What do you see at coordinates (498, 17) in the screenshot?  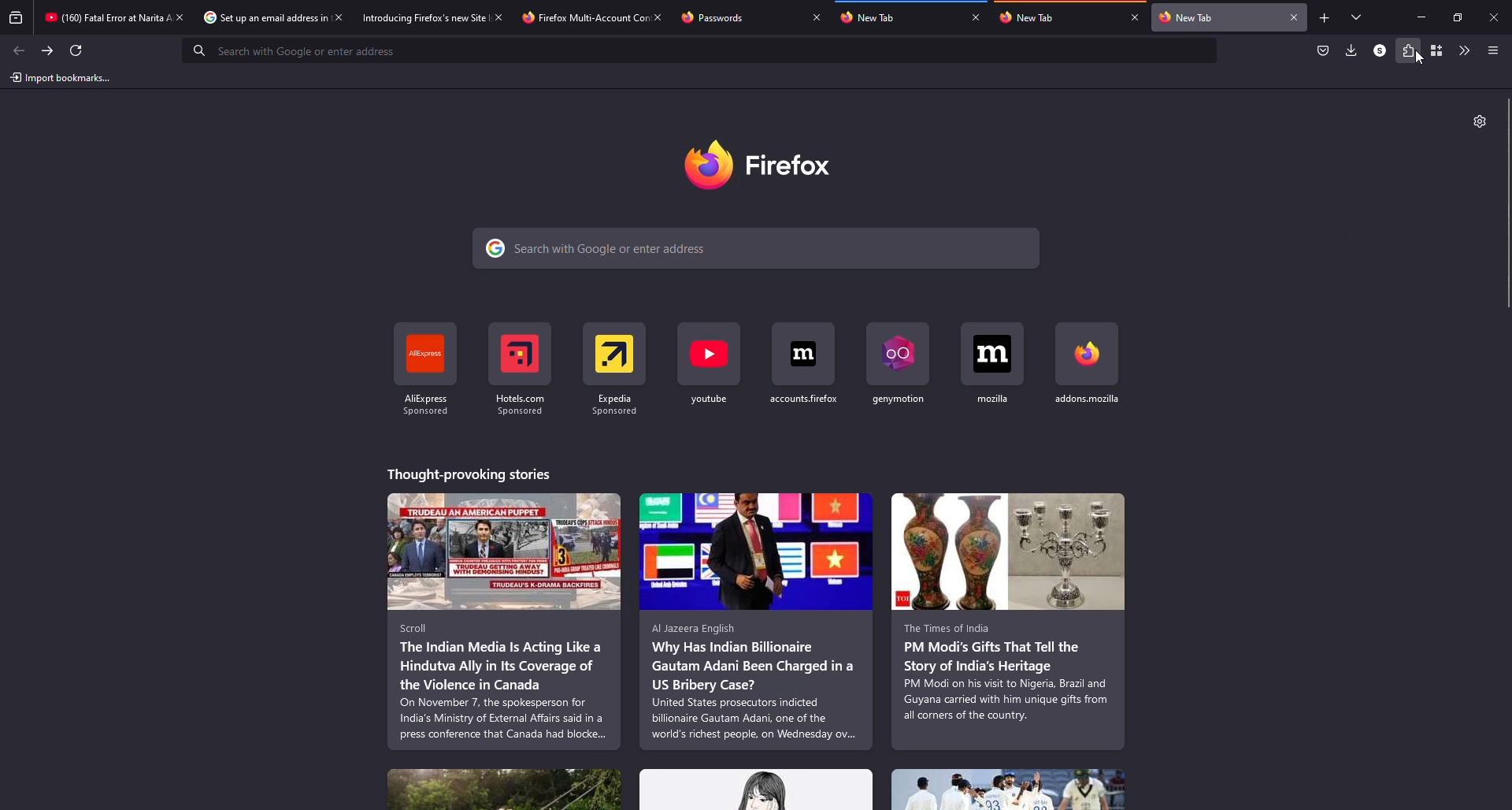 I see `close` at bounding box center [498, 17].